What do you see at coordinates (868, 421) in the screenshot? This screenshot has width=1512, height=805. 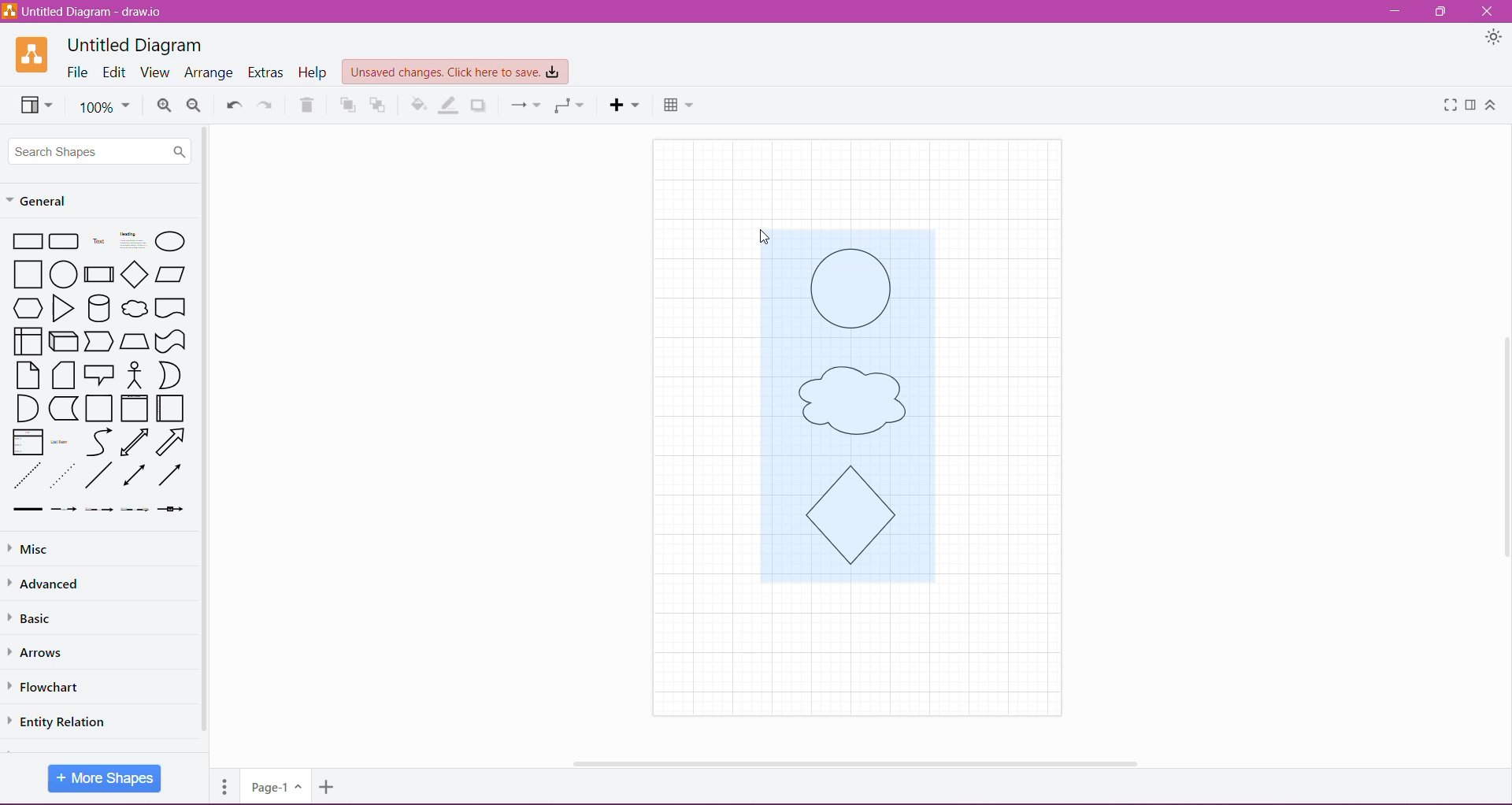 I see `Shapes selected` at bounding box center [868, 421].